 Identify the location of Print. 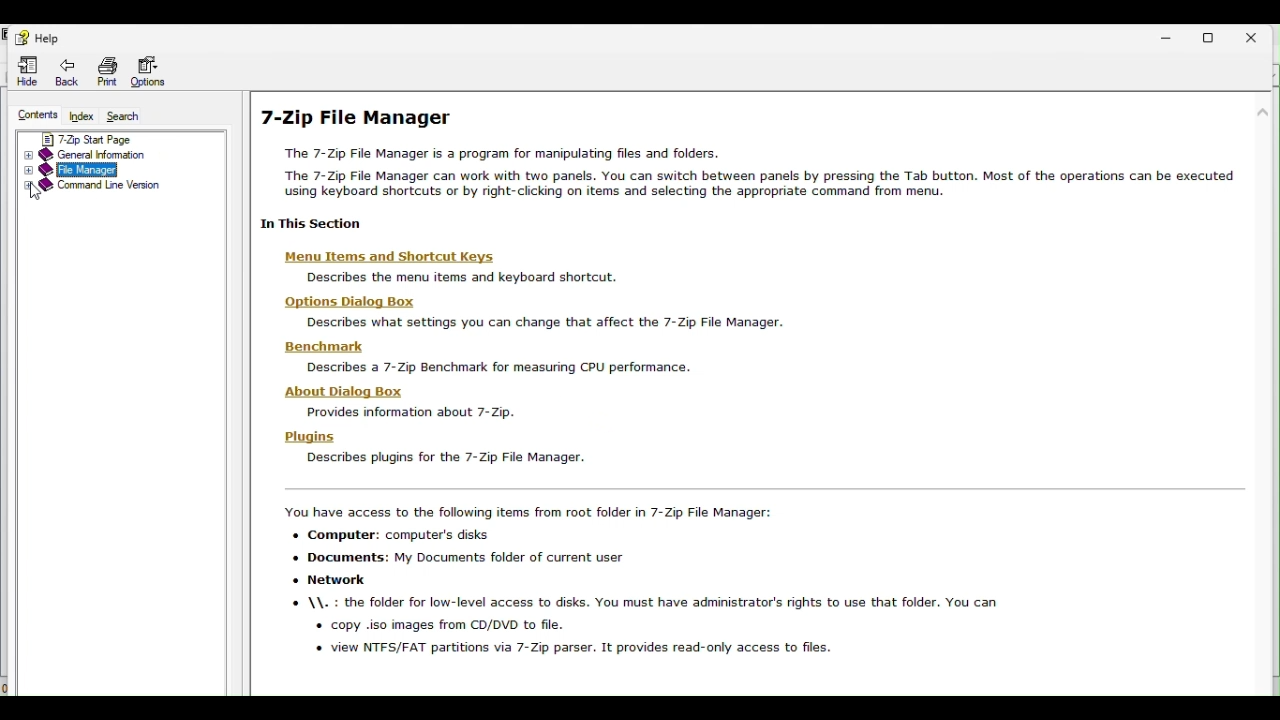
(108, 73).